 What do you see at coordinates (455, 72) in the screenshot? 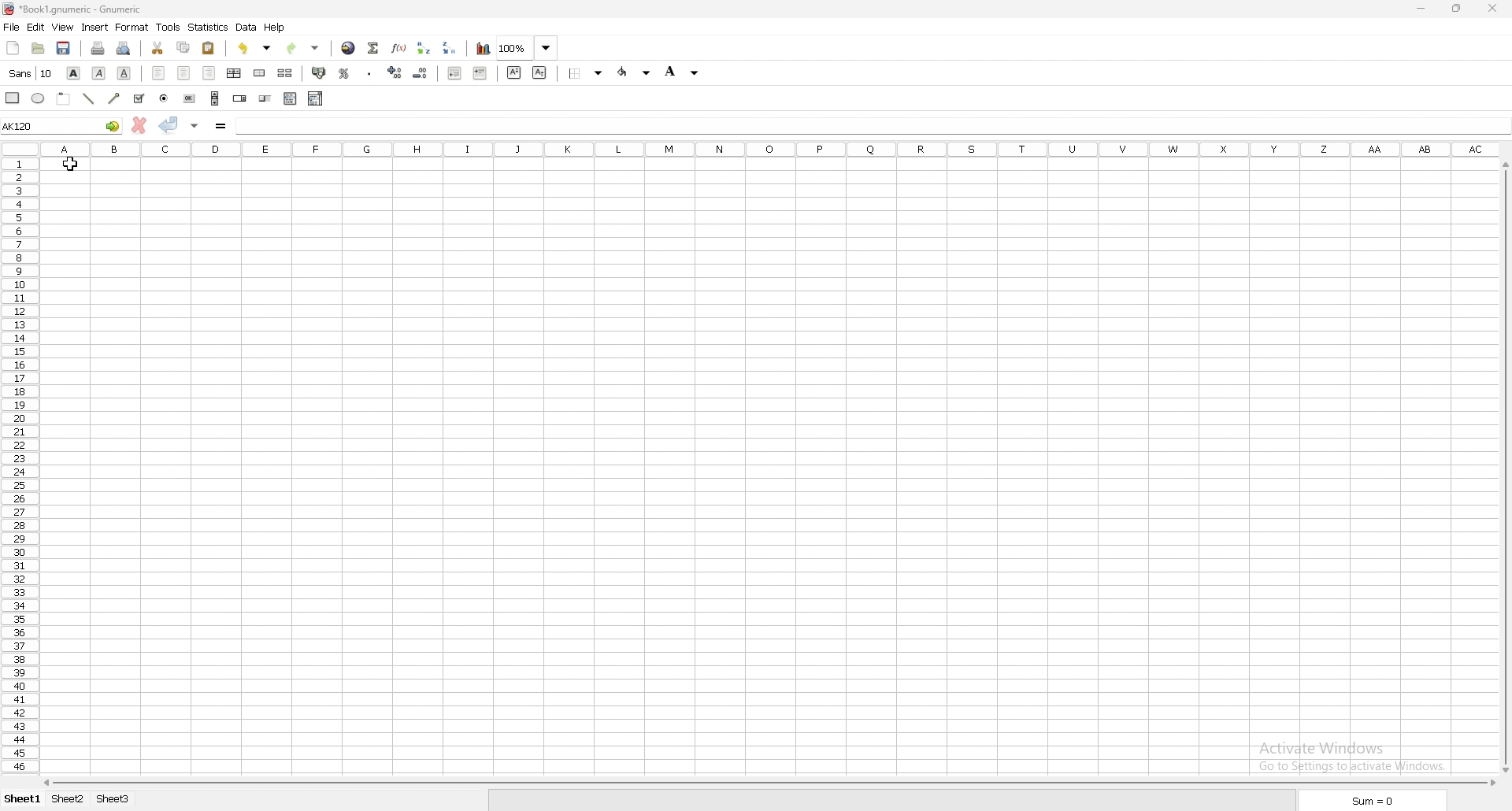
I see `decrease indent` at bounding box center [455, 72].